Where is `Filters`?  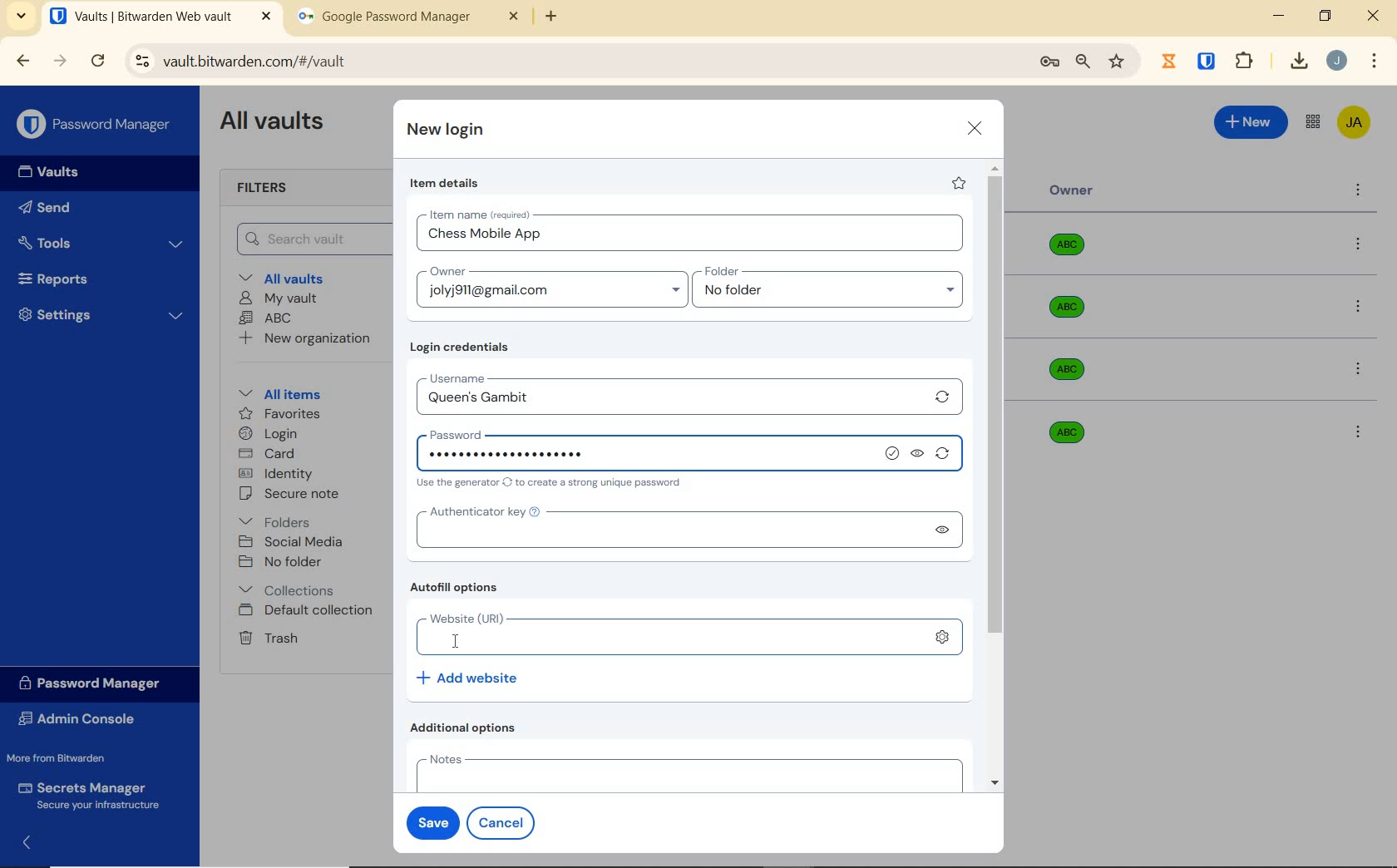
Filters is located at coordinates (268, 189).